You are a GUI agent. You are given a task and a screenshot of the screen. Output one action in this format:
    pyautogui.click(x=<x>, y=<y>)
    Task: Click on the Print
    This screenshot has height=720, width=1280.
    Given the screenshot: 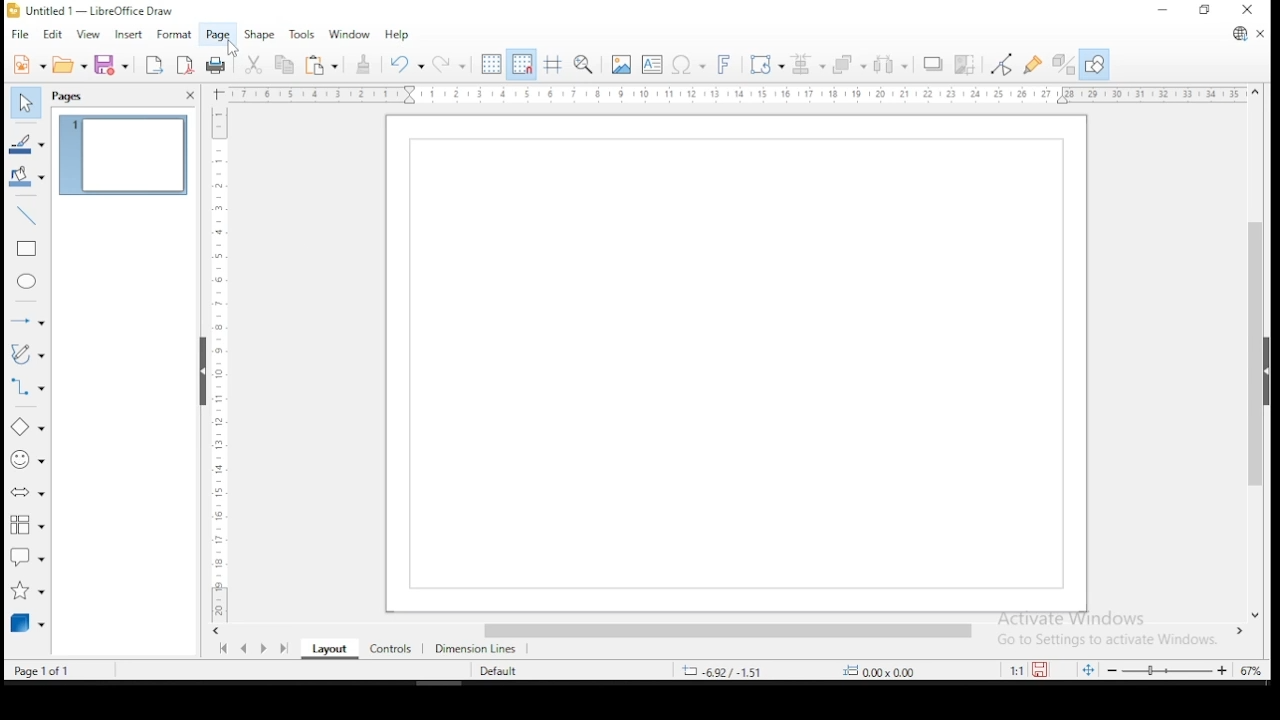 What is the action you would take?
    pyautogui.click(x=216, y=64)
    